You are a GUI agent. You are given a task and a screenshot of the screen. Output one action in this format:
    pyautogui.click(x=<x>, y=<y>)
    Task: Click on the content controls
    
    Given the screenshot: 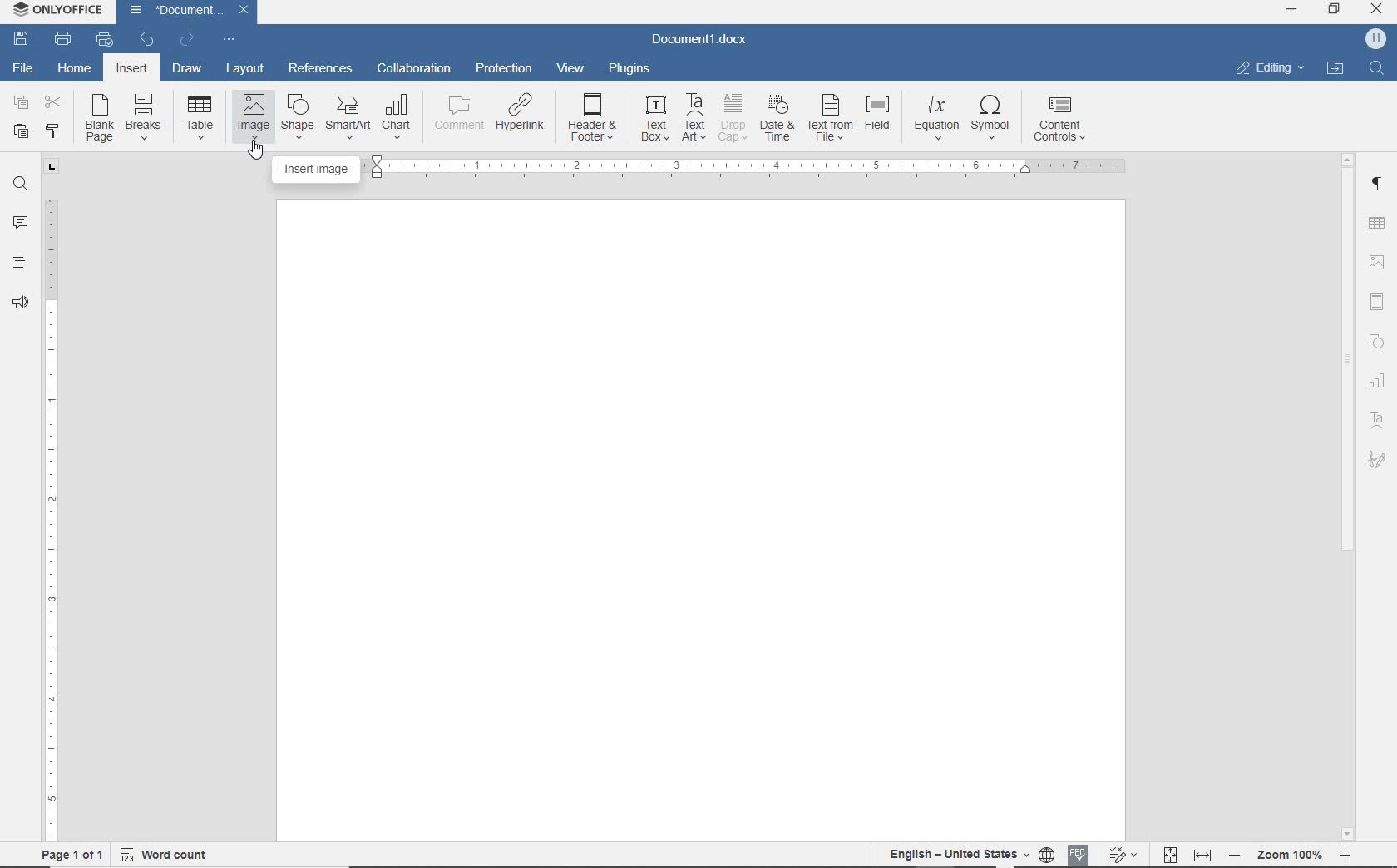 What is the action you would take?
    pyautogui.click(x=1064, y=121)
    